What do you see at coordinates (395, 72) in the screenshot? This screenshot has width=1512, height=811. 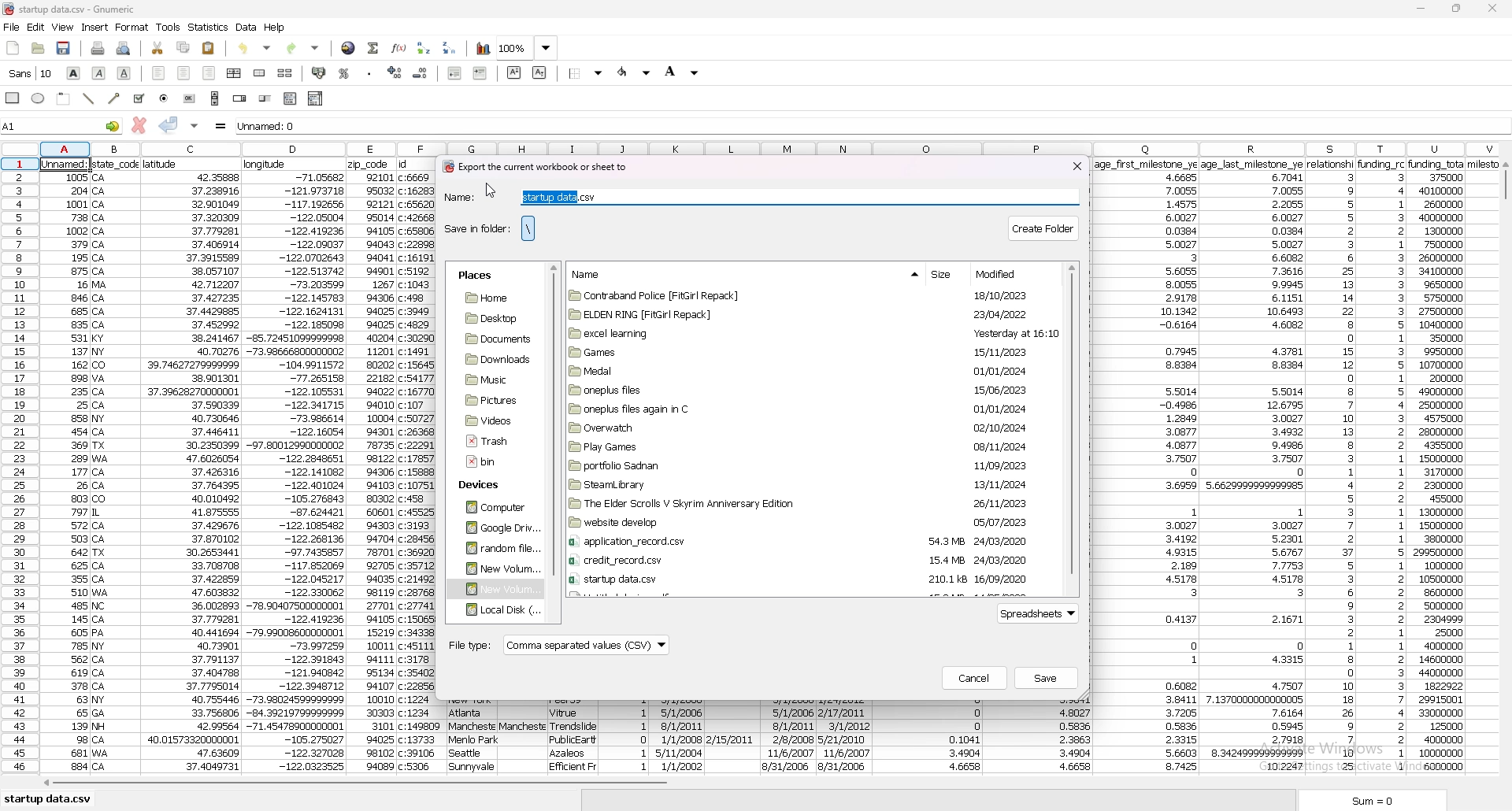 I see `increase decimals` at bounding box center [395, 72].